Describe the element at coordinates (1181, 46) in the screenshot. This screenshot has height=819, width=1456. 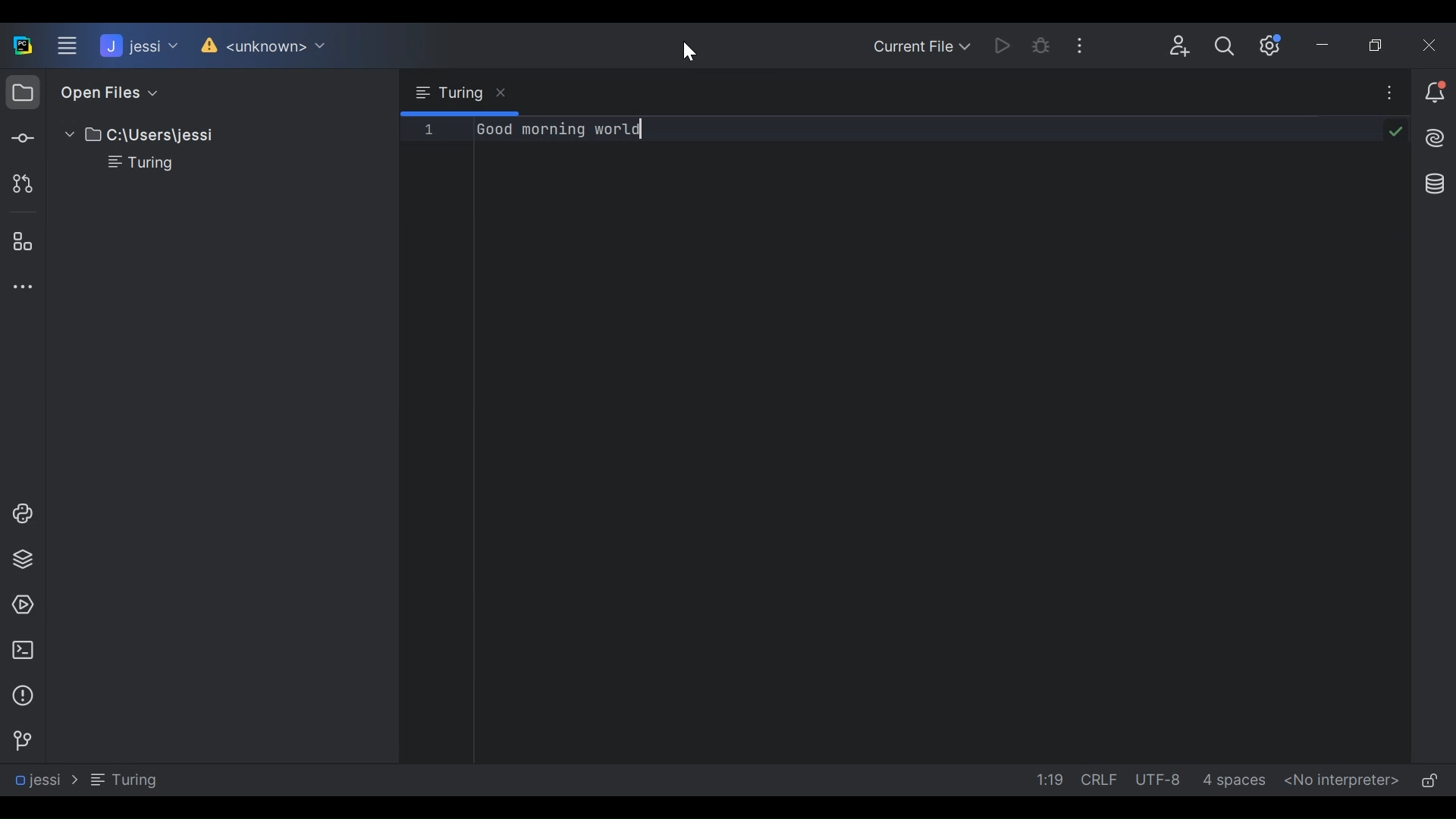
I see `Code With Me` at that location.